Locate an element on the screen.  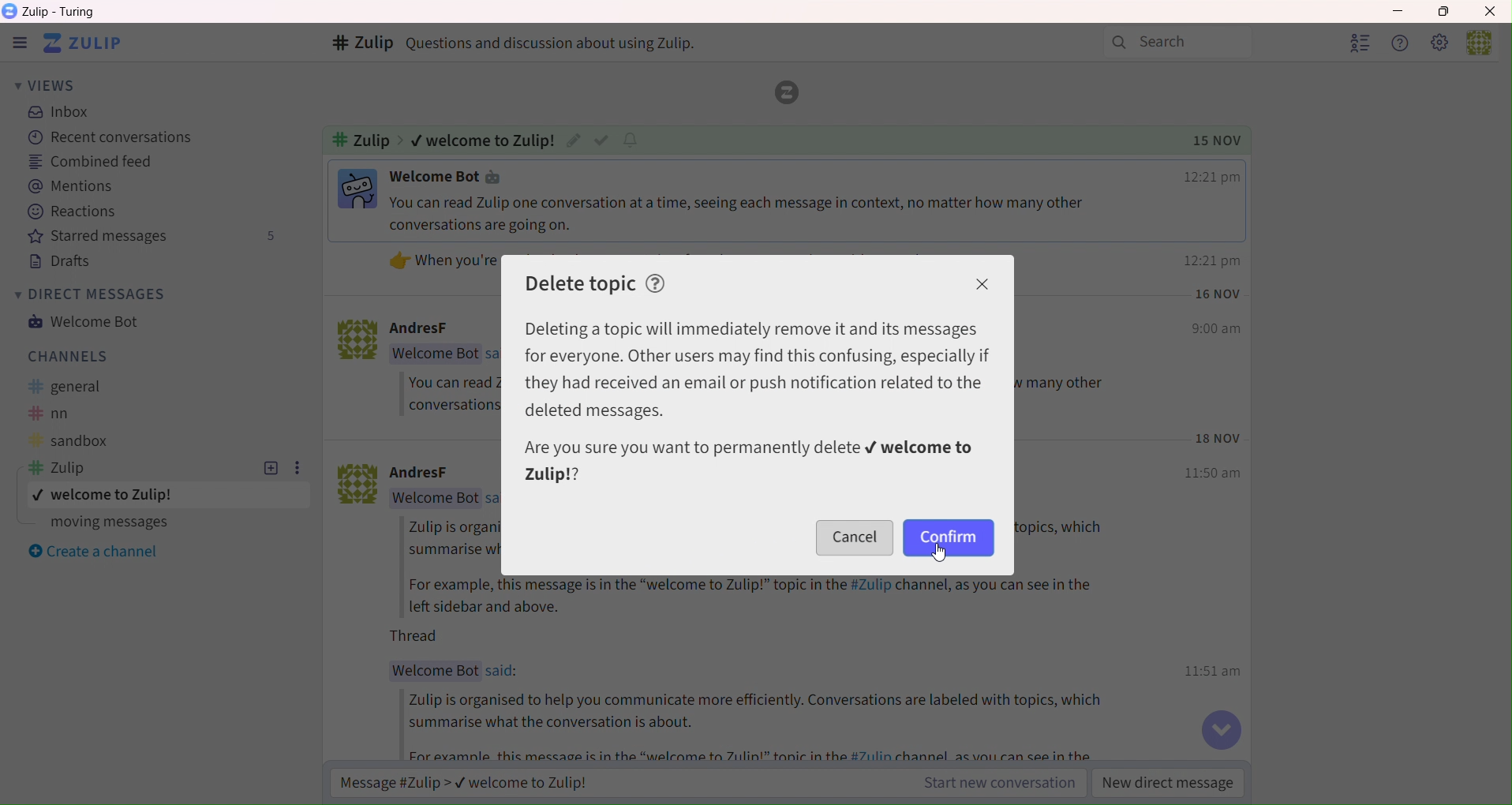
Text is located at coordinates (422, 636).